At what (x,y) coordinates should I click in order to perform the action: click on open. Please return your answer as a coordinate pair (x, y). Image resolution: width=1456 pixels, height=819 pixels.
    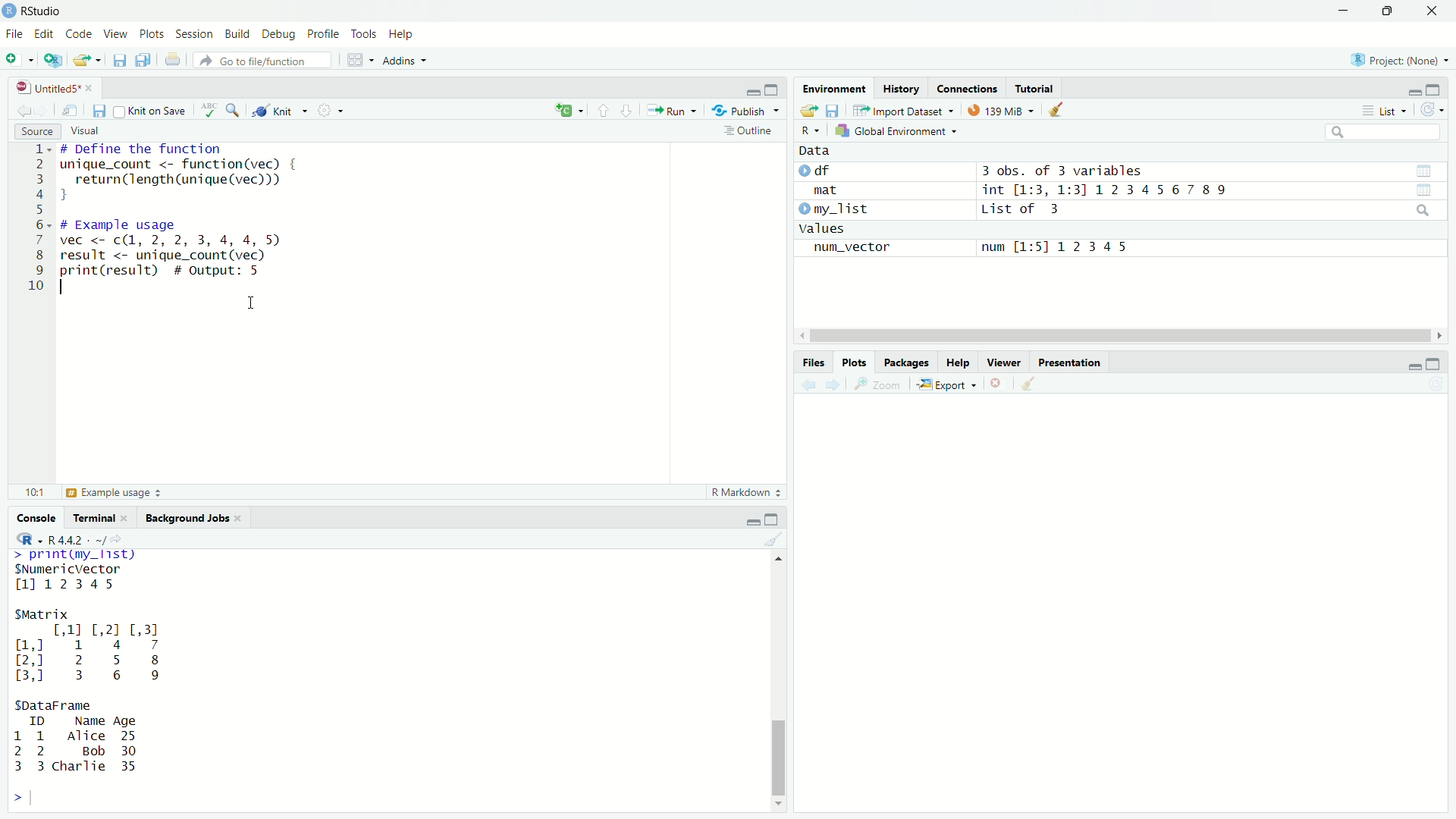
    Looking at the image, I should click on (807, 110).